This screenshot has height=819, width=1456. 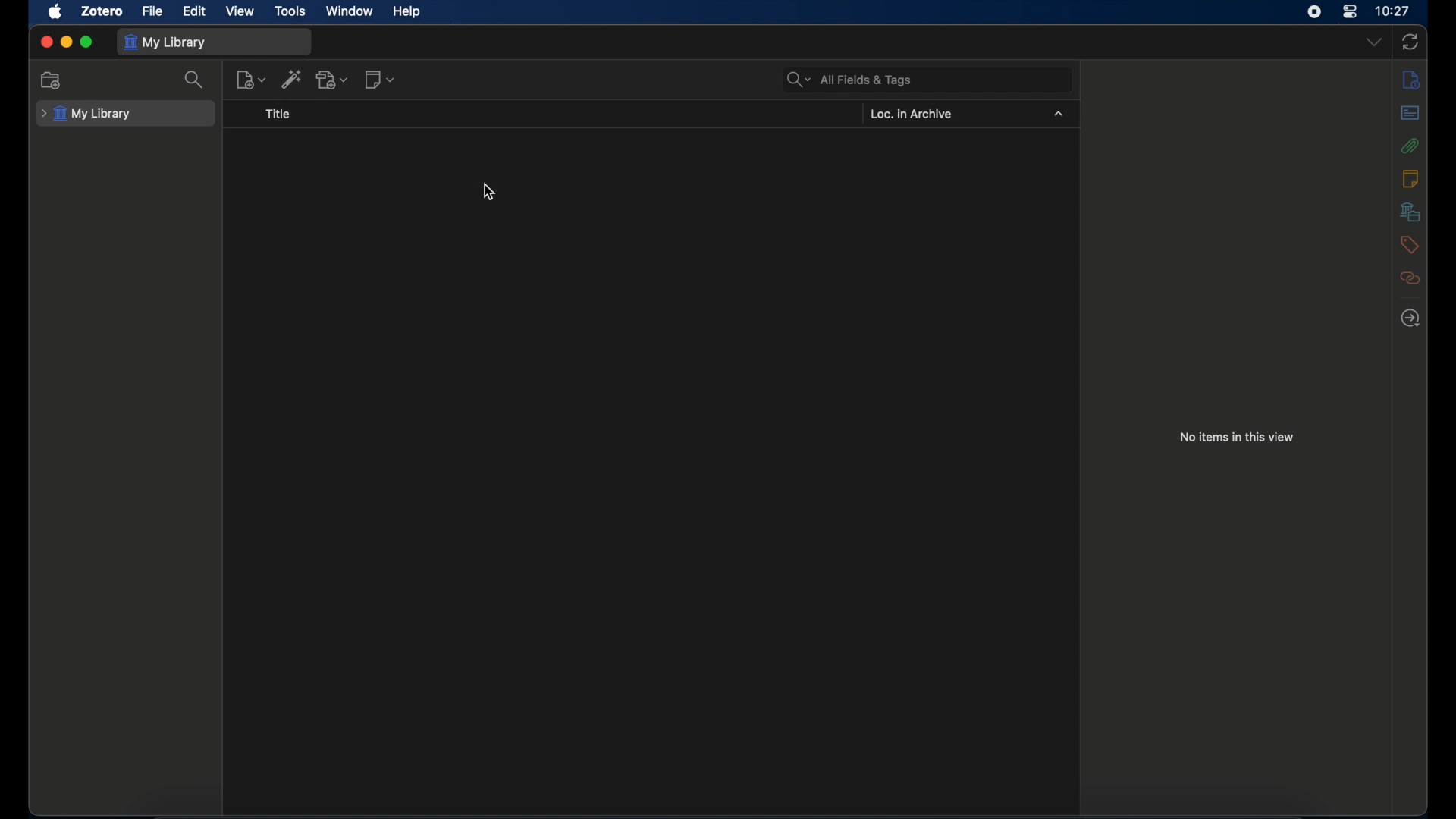 I want to click on libraries, so click(x=1410, y=212).